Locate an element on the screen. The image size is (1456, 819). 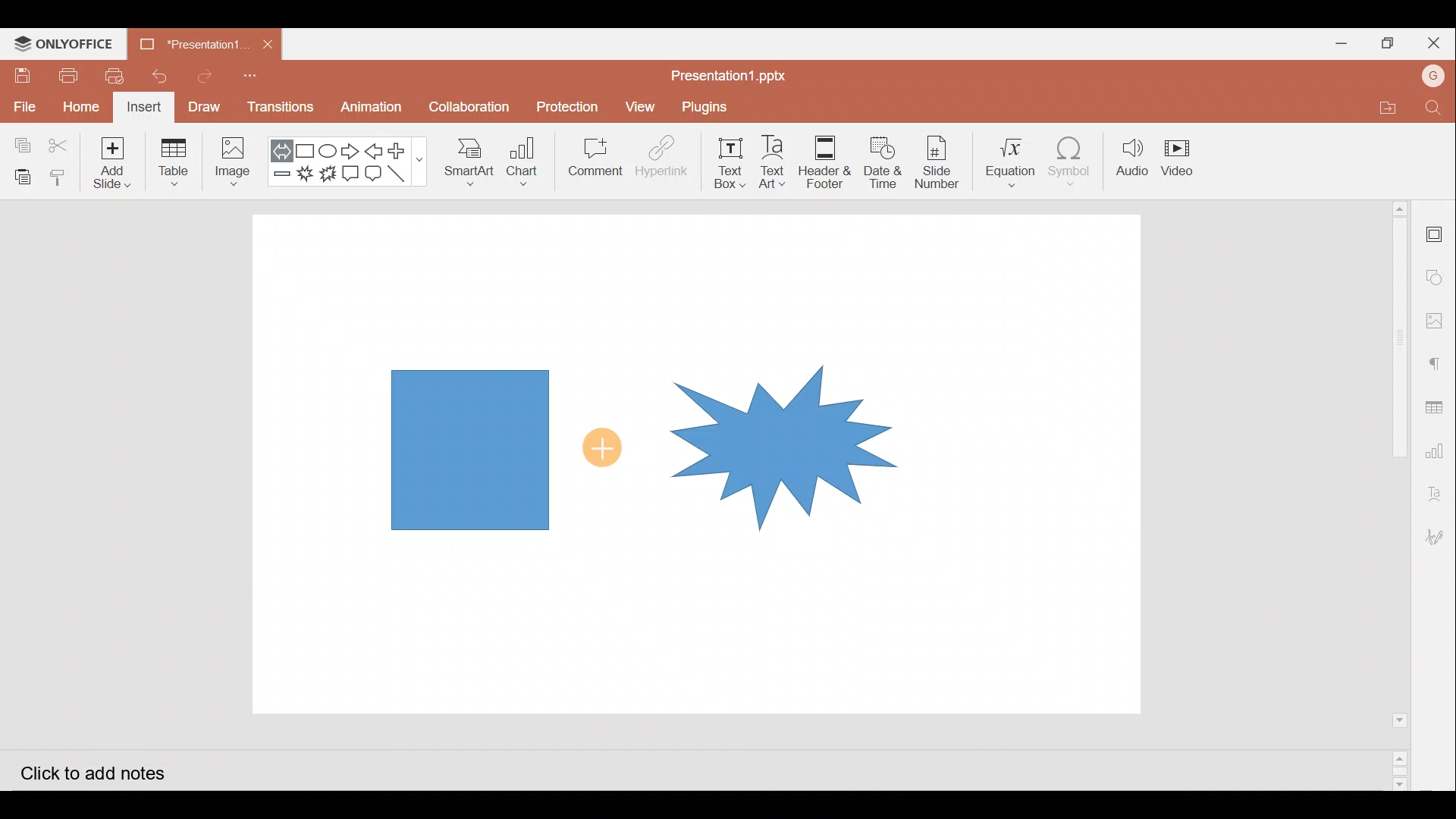
Redo is located at coordinates (210, 76).